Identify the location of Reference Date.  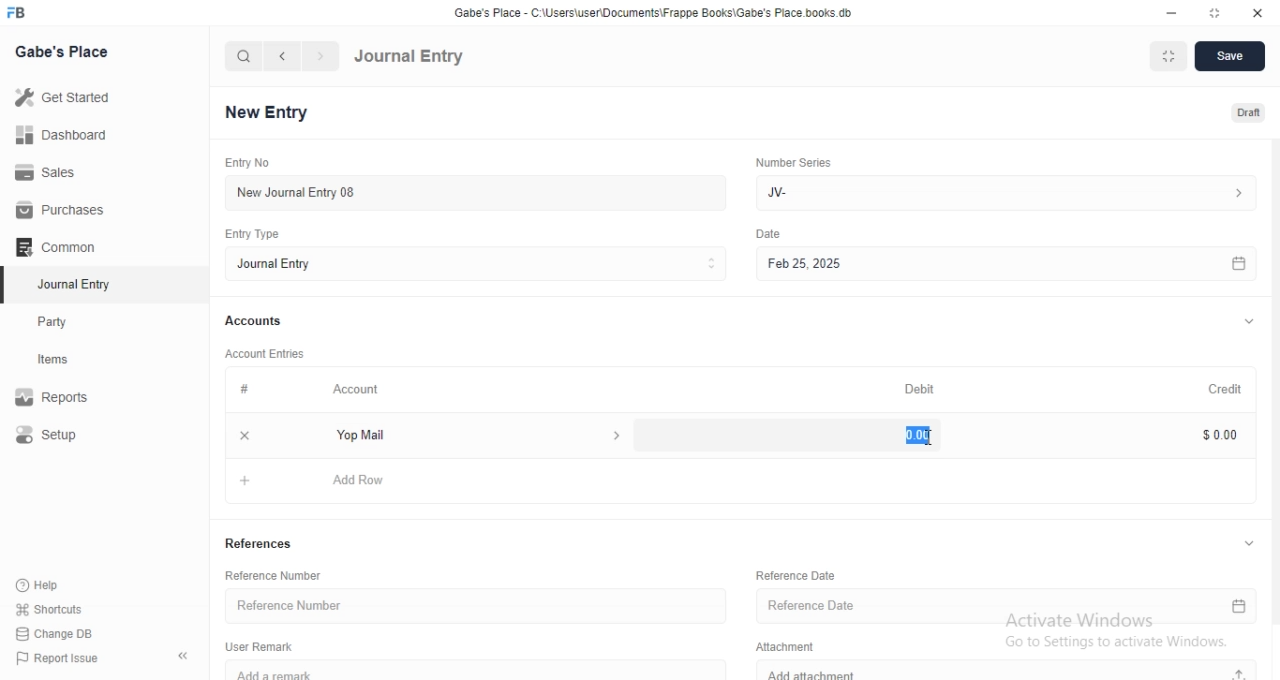
(1007, 608).